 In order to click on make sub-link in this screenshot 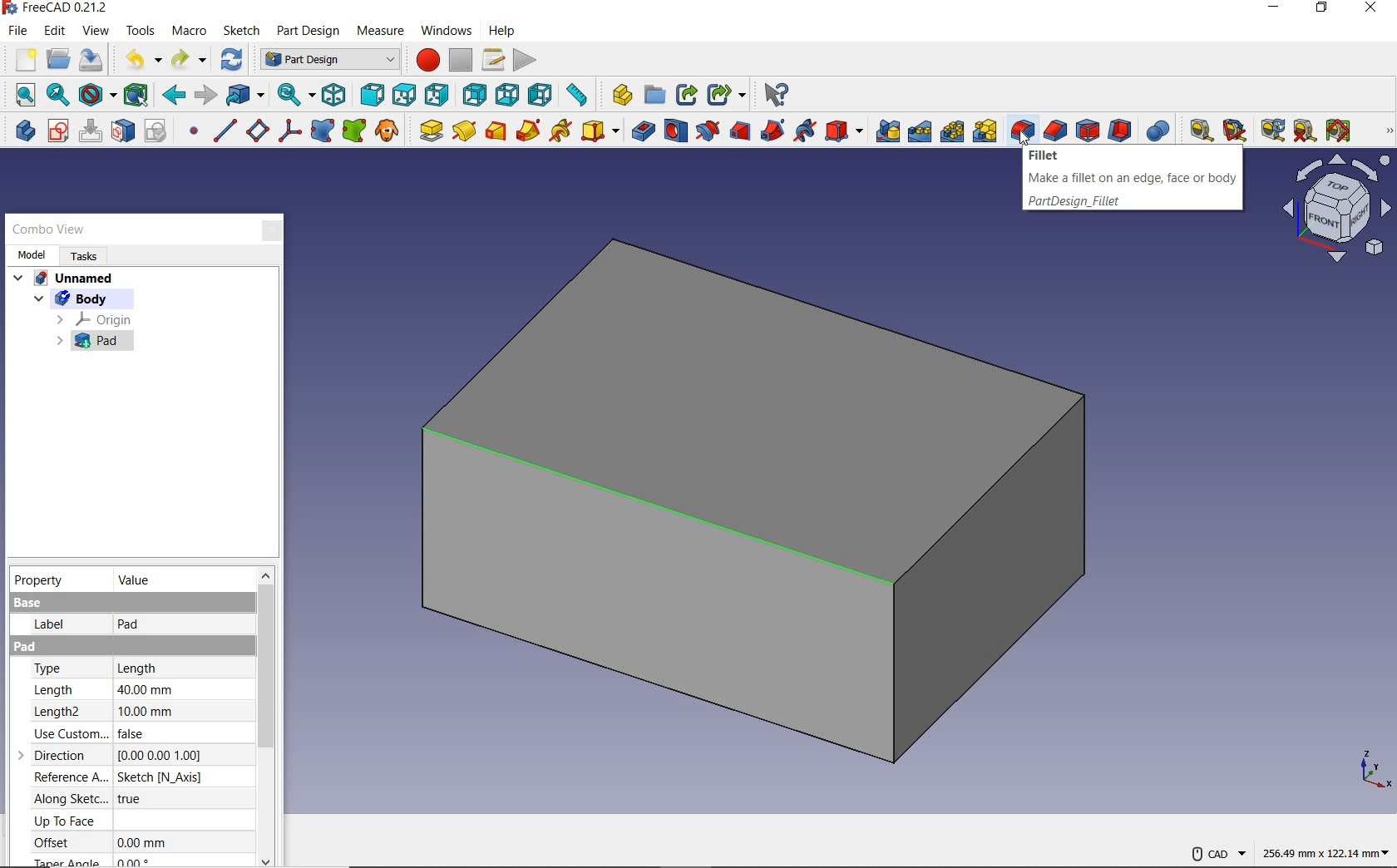, I will do `click(727, 93)`.